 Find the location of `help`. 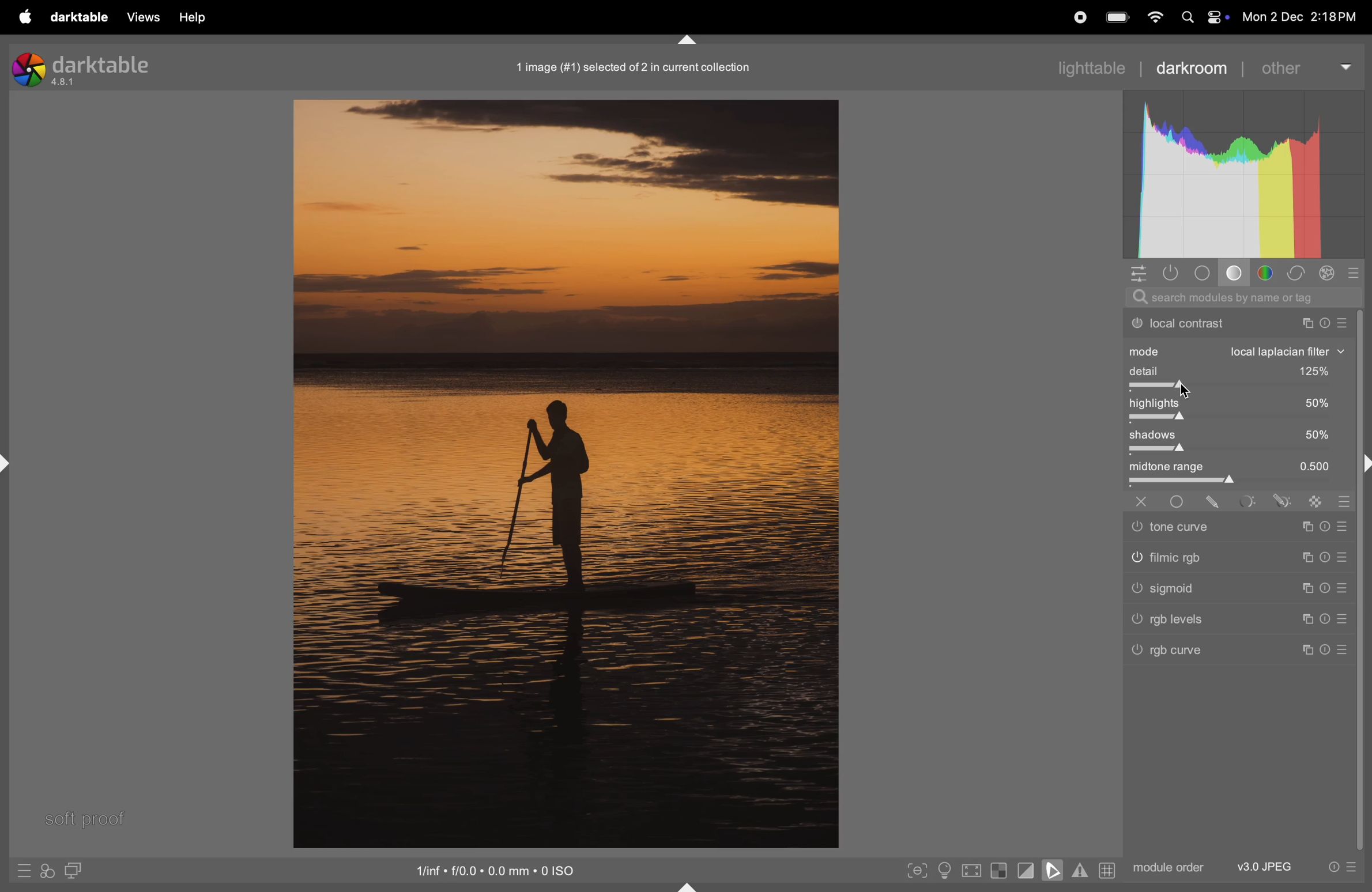

help is located at coordinates (198, 17).